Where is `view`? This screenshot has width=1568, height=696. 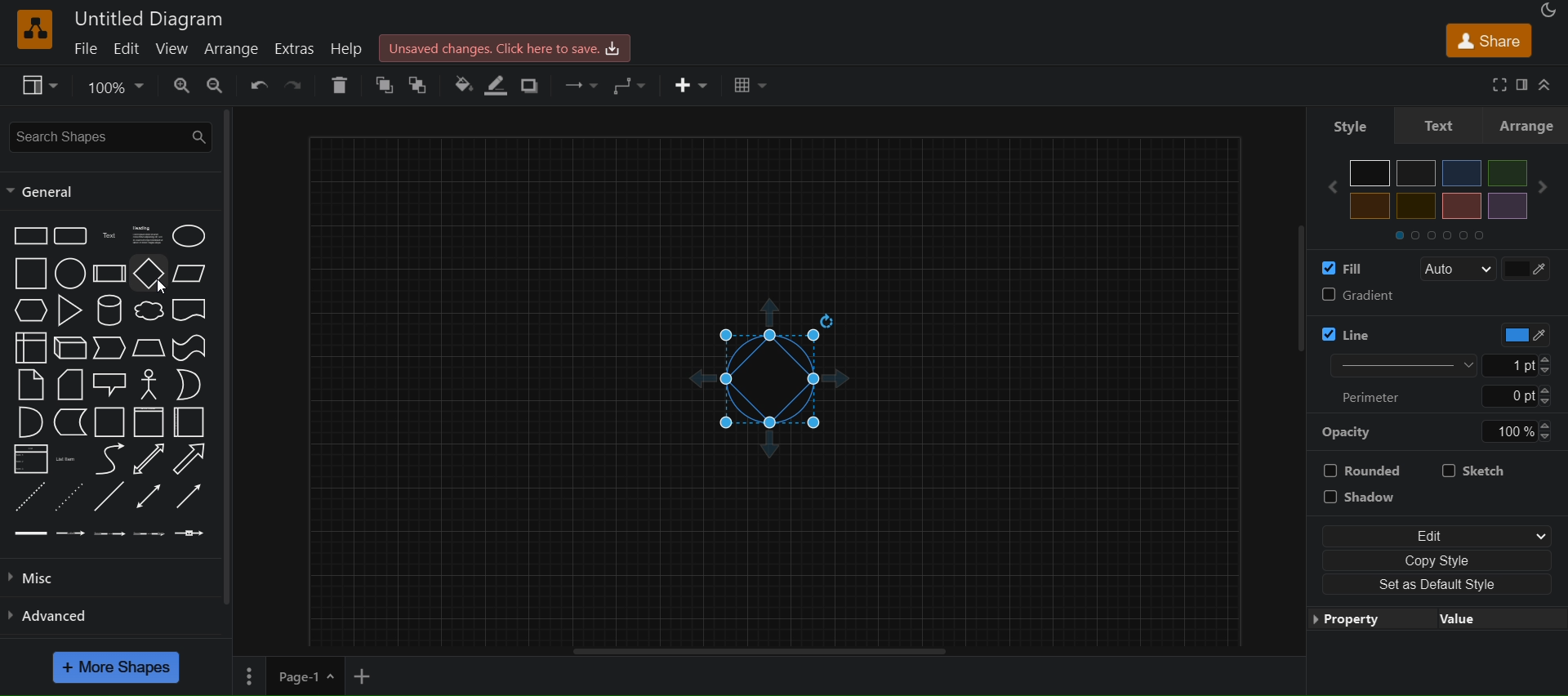 view is located at coordinates (42, 86).